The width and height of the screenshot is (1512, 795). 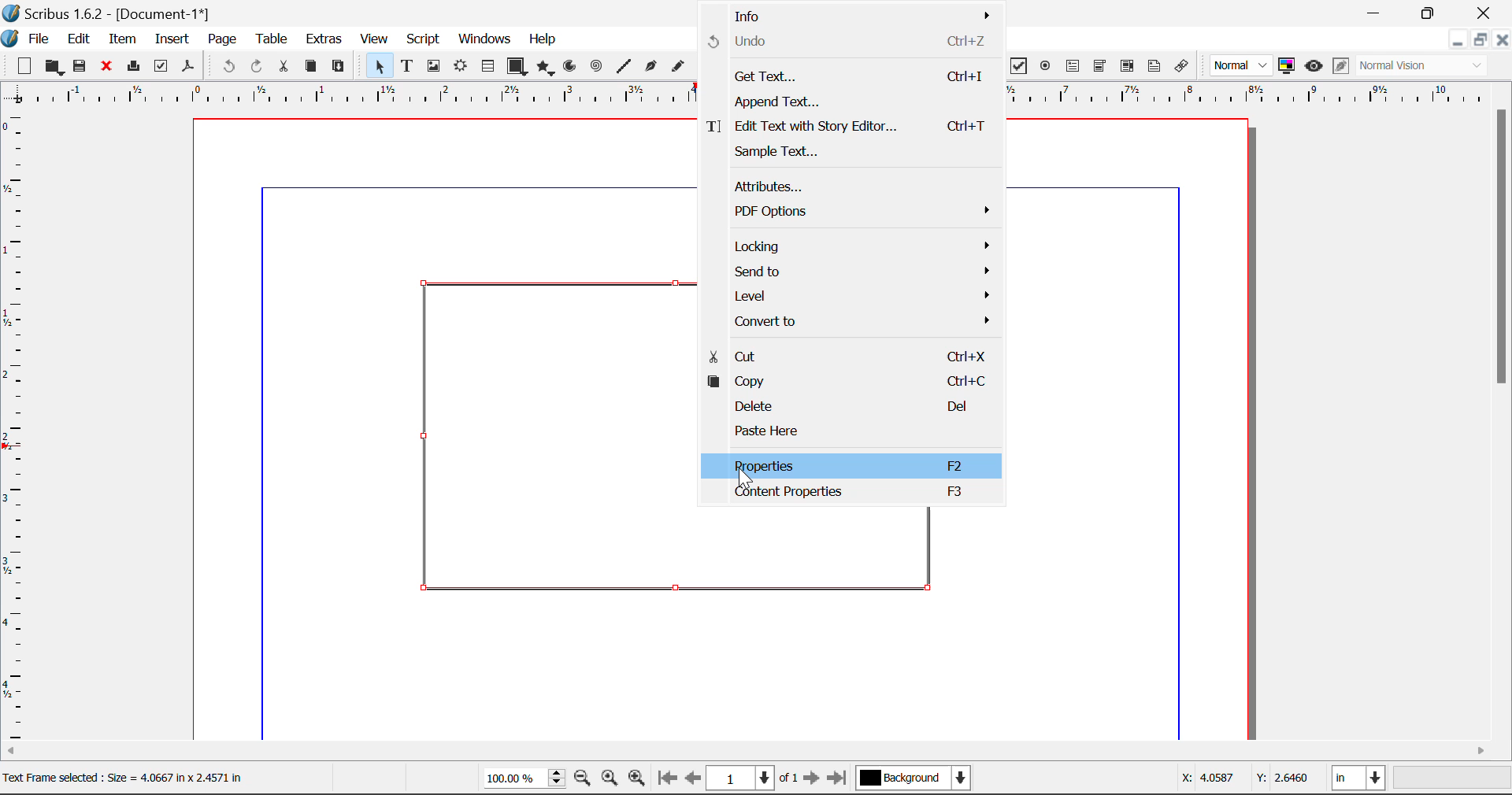 I want to click on Locking, so click(x=859, y=247).